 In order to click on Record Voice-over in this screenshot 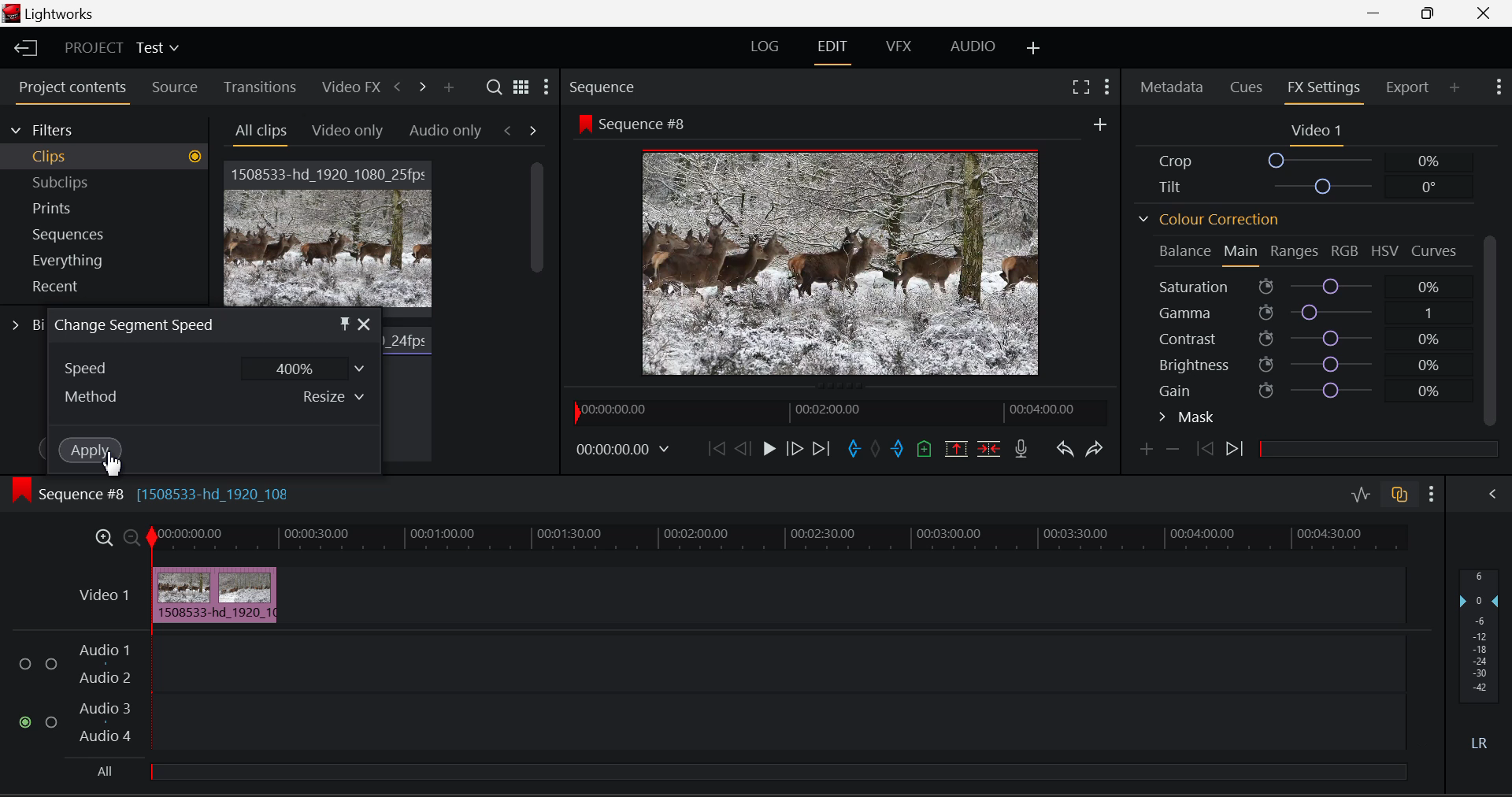, I will do `click(1021, 449)`.